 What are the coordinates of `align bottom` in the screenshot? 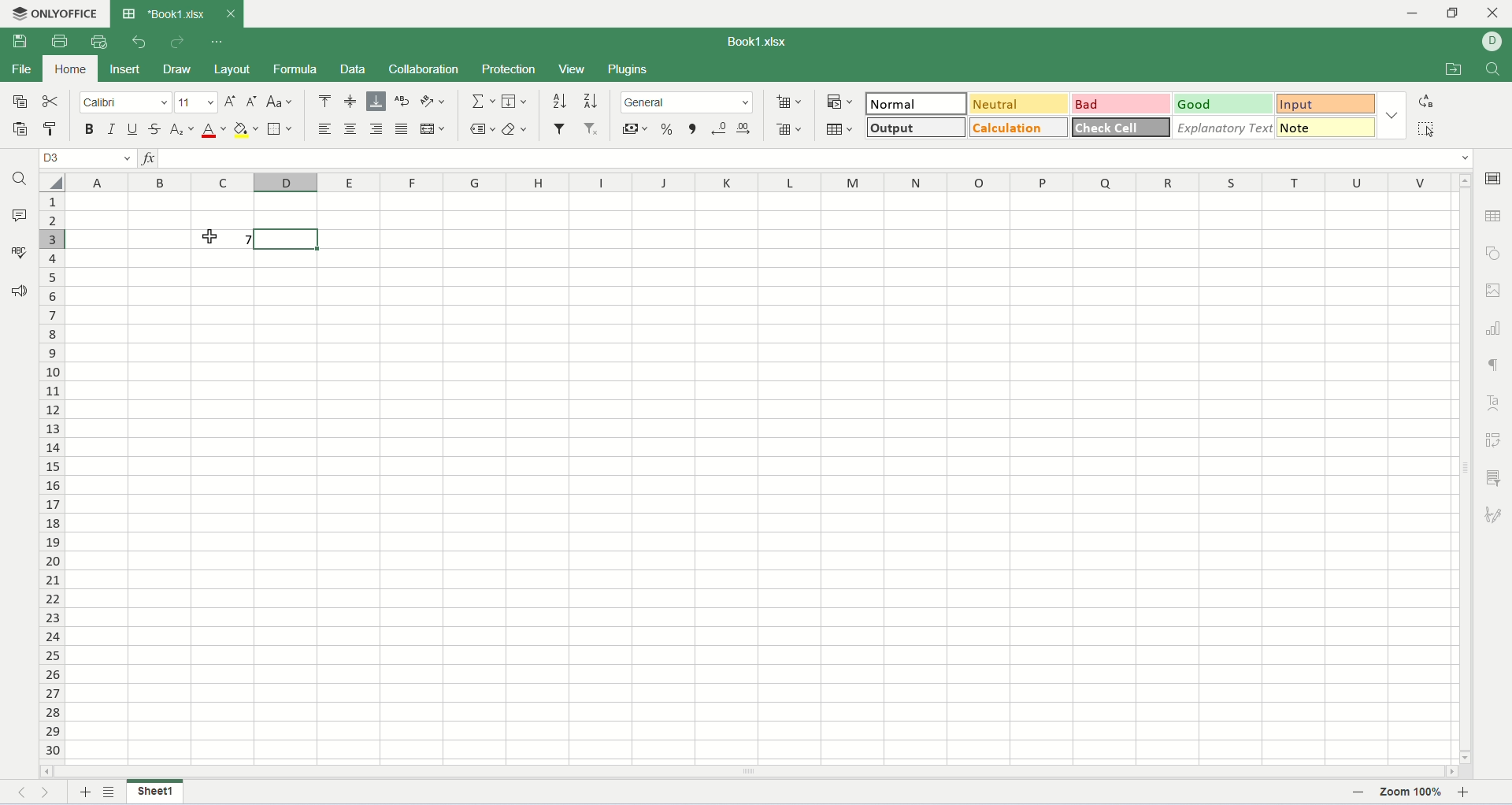 It's located at (376, 101).